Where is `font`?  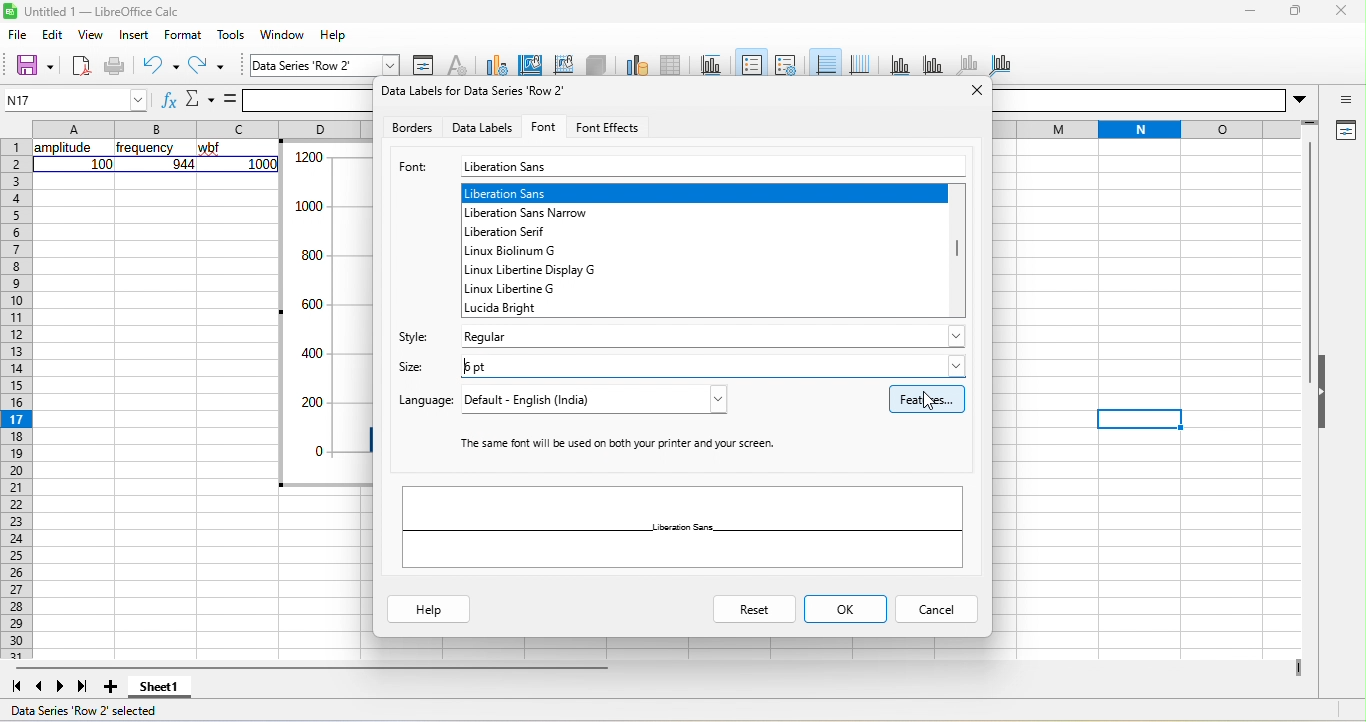
font is located at coordinates (546, 124).